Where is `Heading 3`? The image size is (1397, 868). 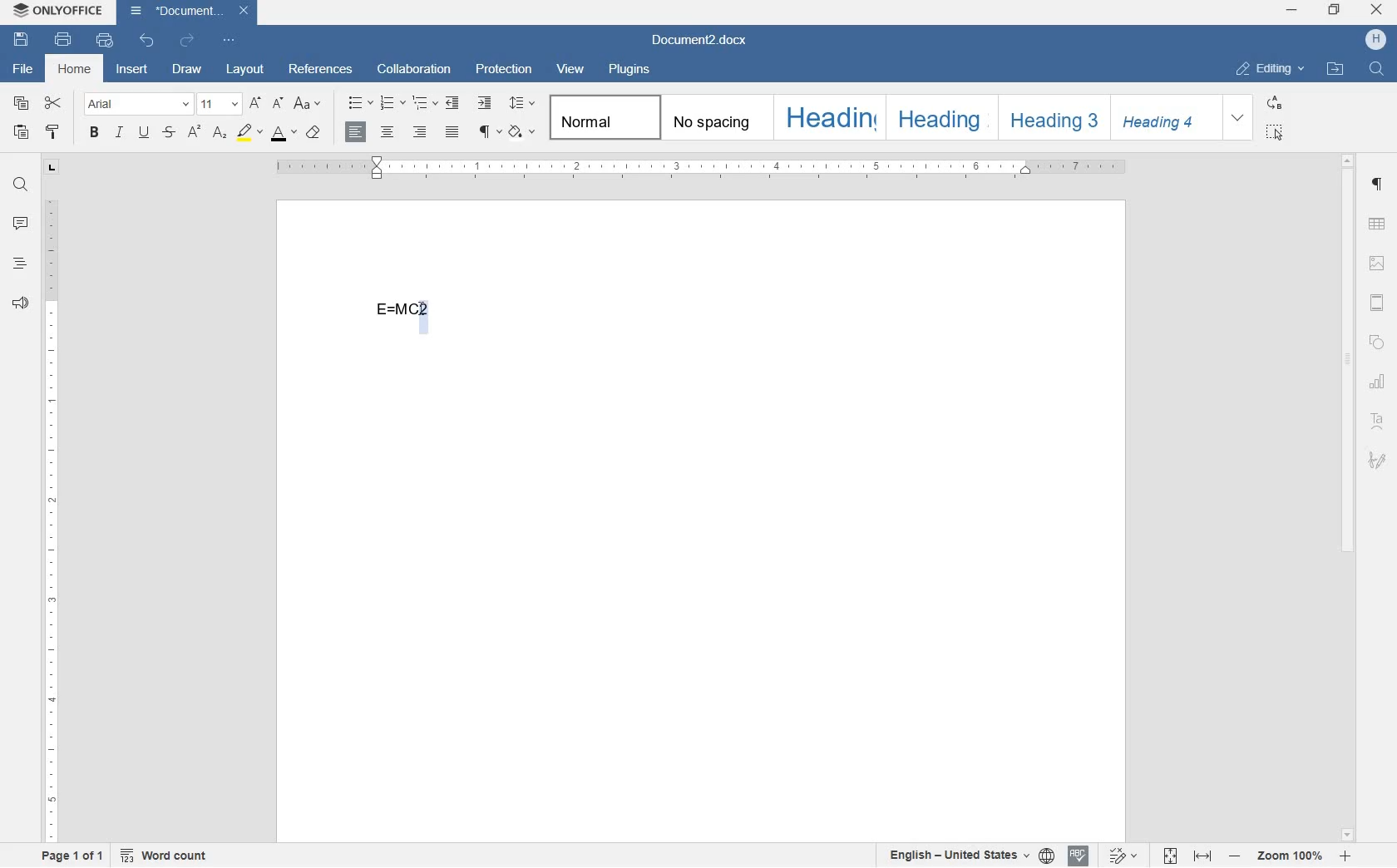 Heading 3 is located at coordinates (1051, 116).